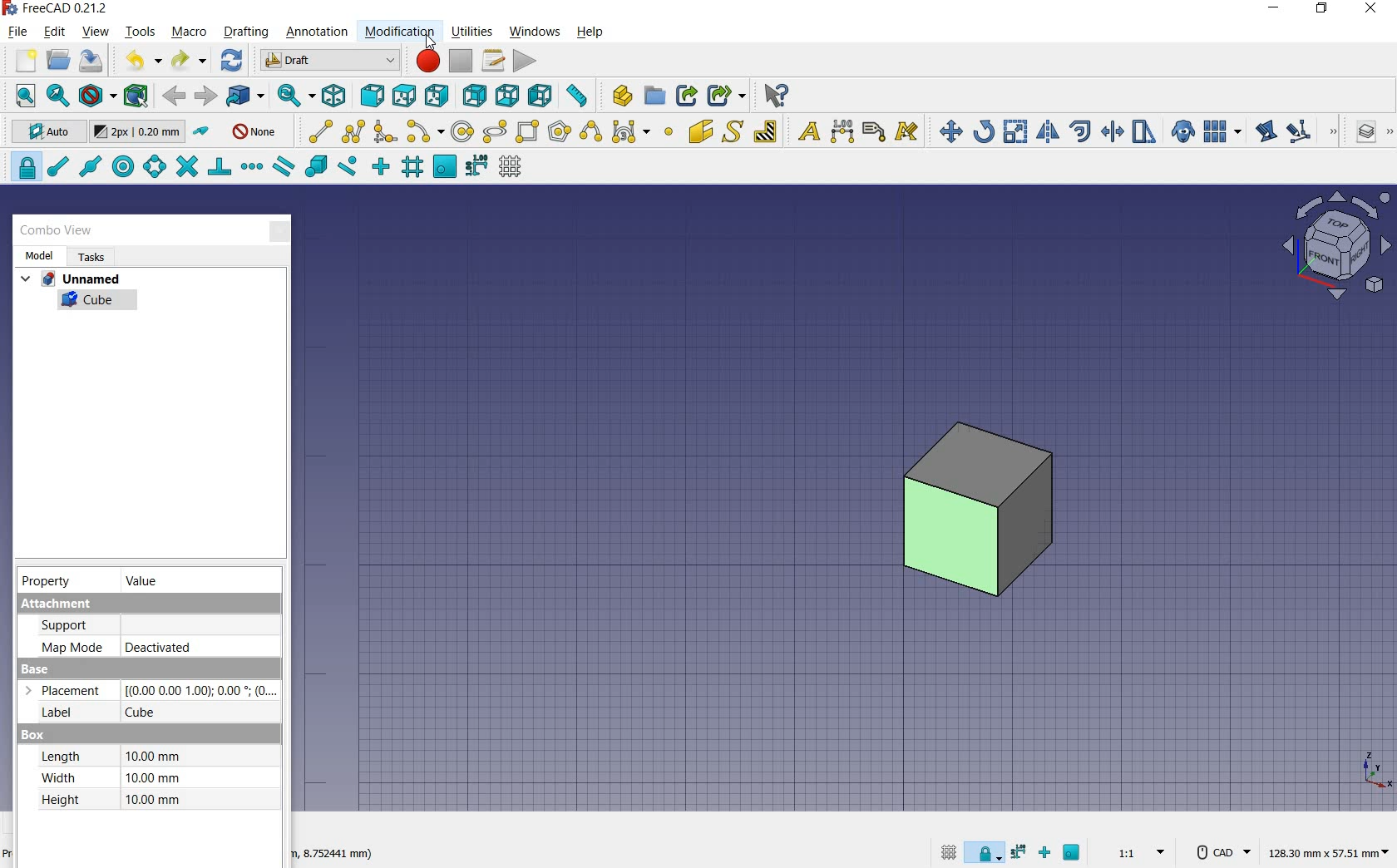 This screenshot has width=1397, height=868. I want to click on Bezier tools, so click(630, 133).